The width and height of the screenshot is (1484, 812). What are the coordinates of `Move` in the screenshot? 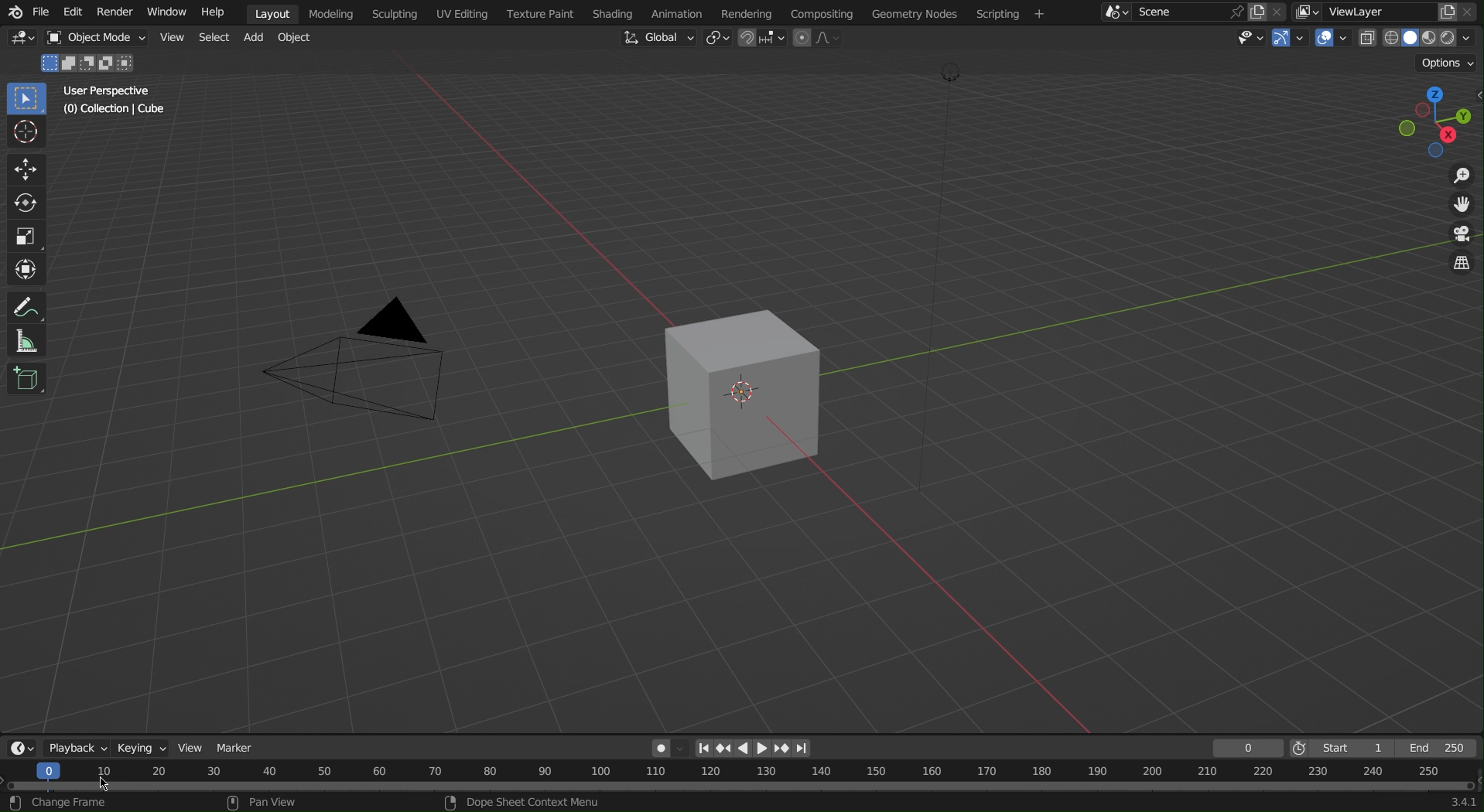 It's located at (27, 172).